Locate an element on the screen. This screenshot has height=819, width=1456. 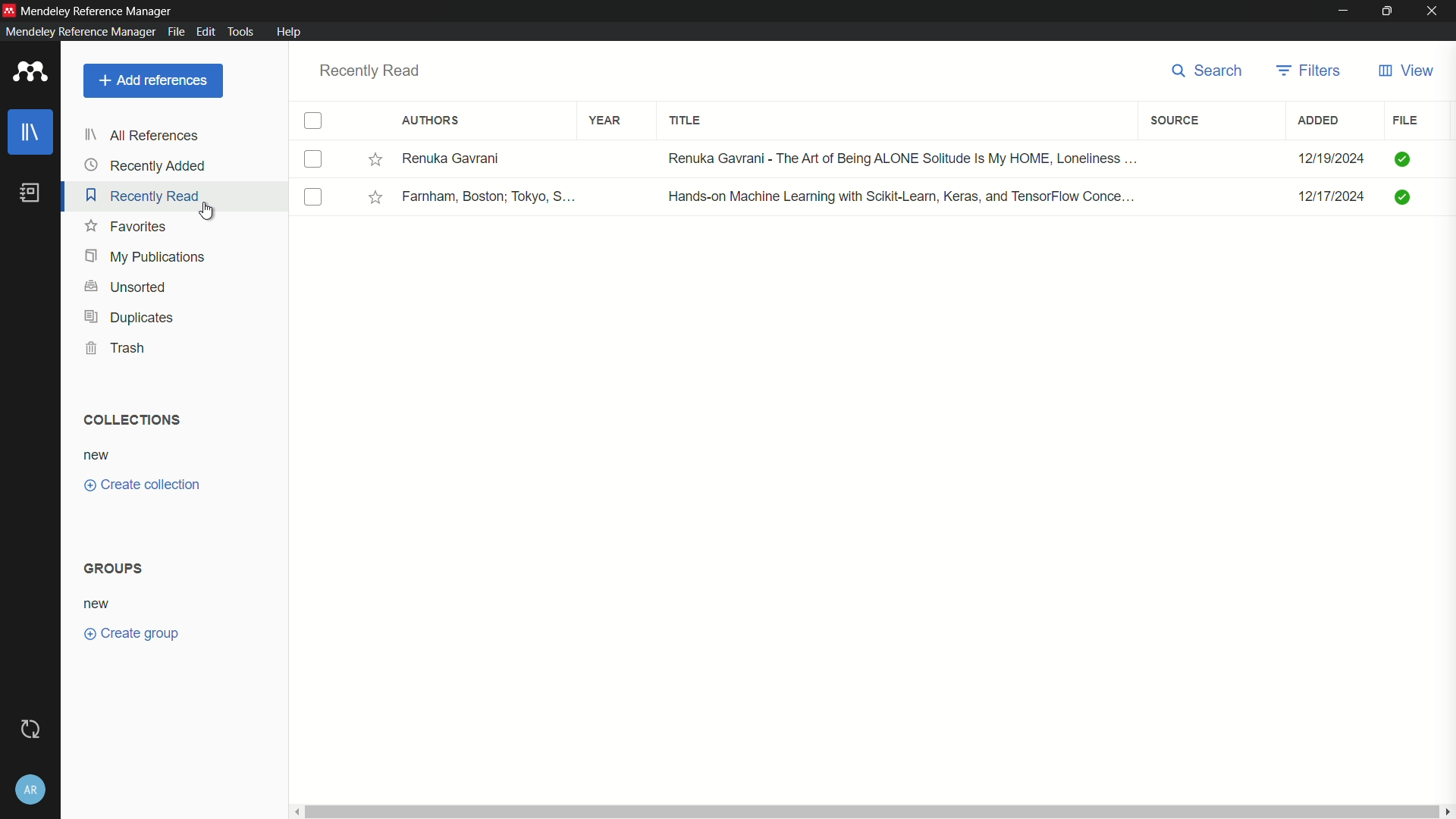
title is located at coordinates (686, 121).